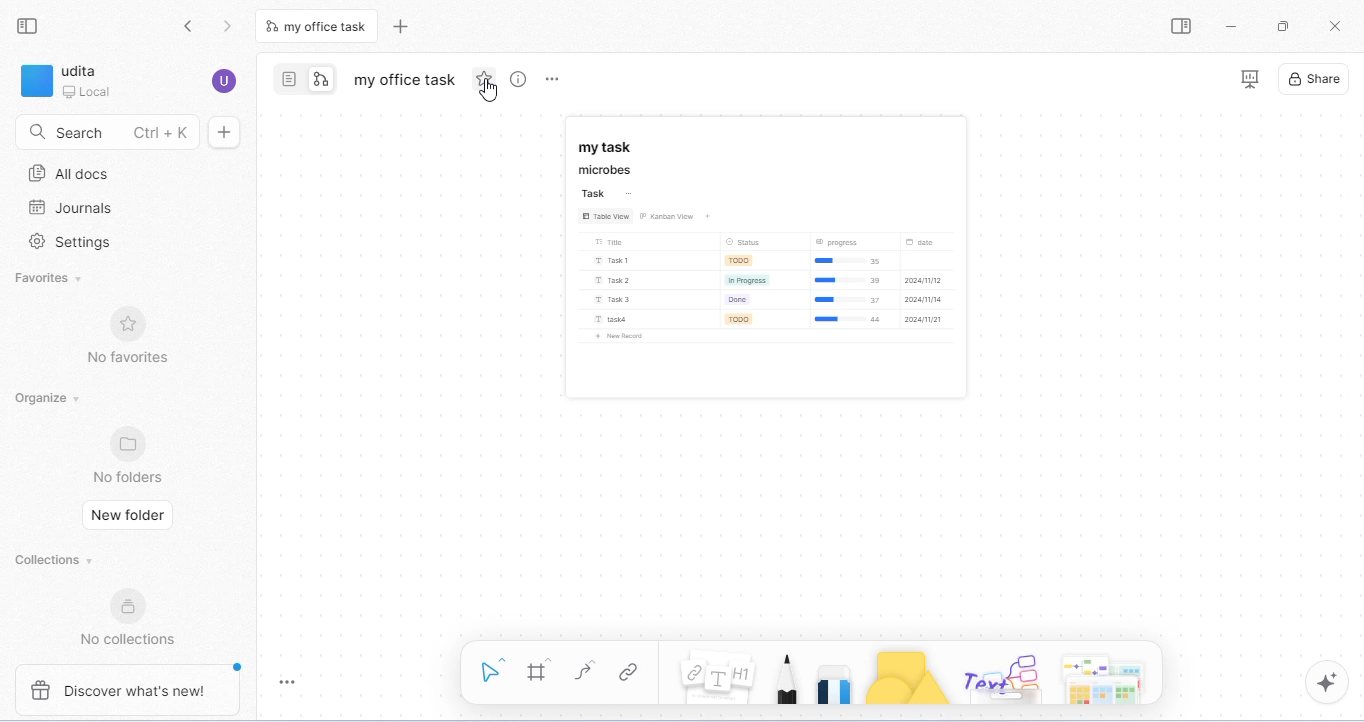 The image size is (1364, 722). What do you see at coordinates (106, 688) in the screenshot?
I see `discover what's new` at bounding box center [106, 688].